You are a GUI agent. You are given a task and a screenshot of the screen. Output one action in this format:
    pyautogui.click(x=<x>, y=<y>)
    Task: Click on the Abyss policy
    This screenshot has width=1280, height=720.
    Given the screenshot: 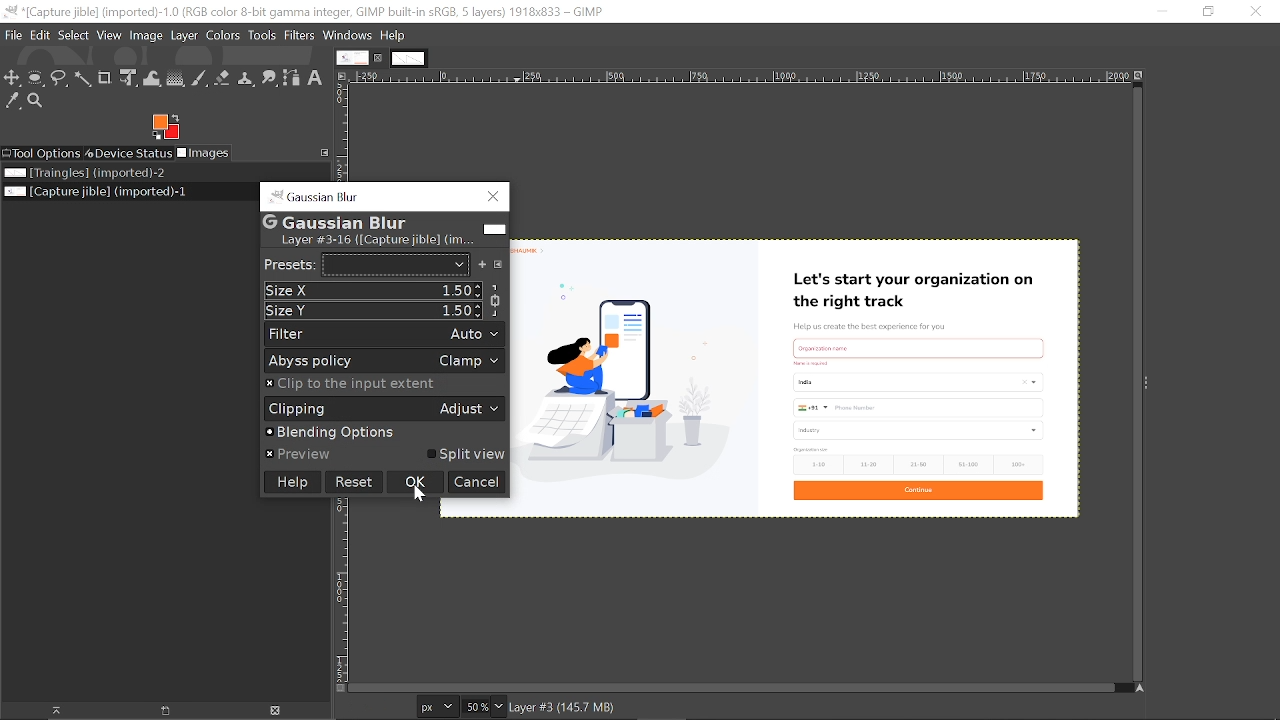 What is the action you would take?
    pyautogui.click(x=385, y=361)
    